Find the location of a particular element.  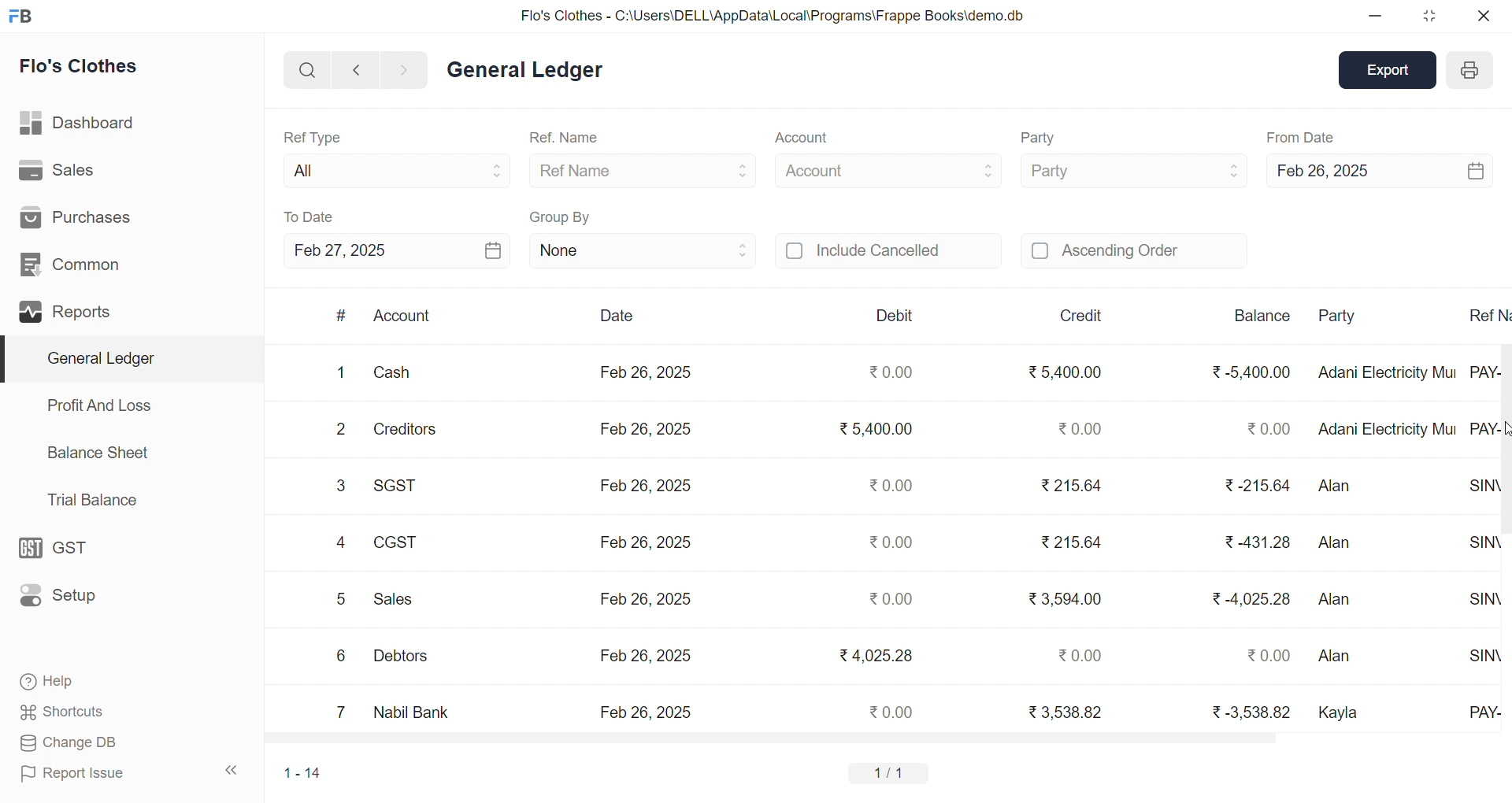

₹ 3,538.82 is located at coordinates (1065, 711).